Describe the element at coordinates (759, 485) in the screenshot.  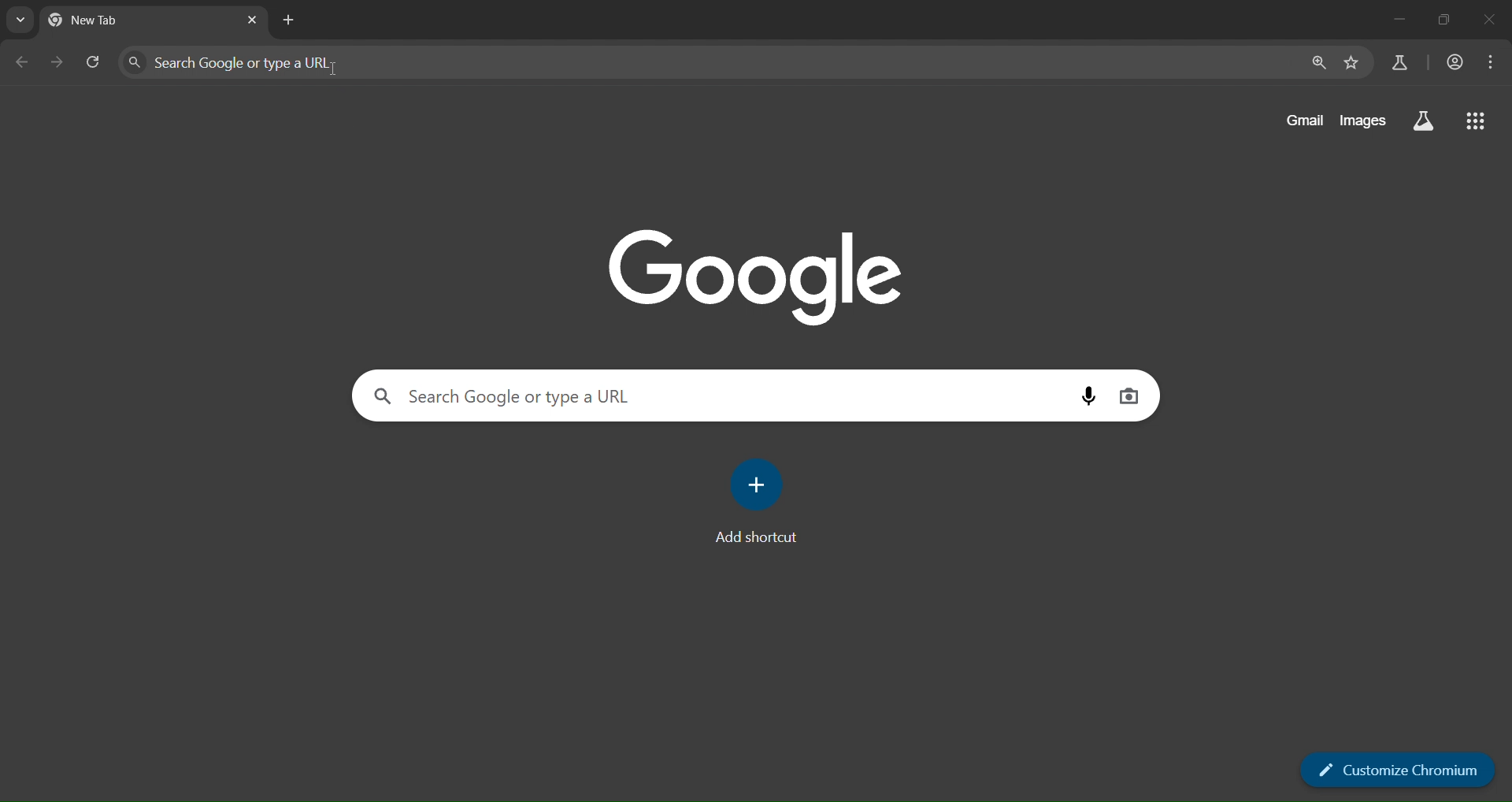
I see `add` at that location.